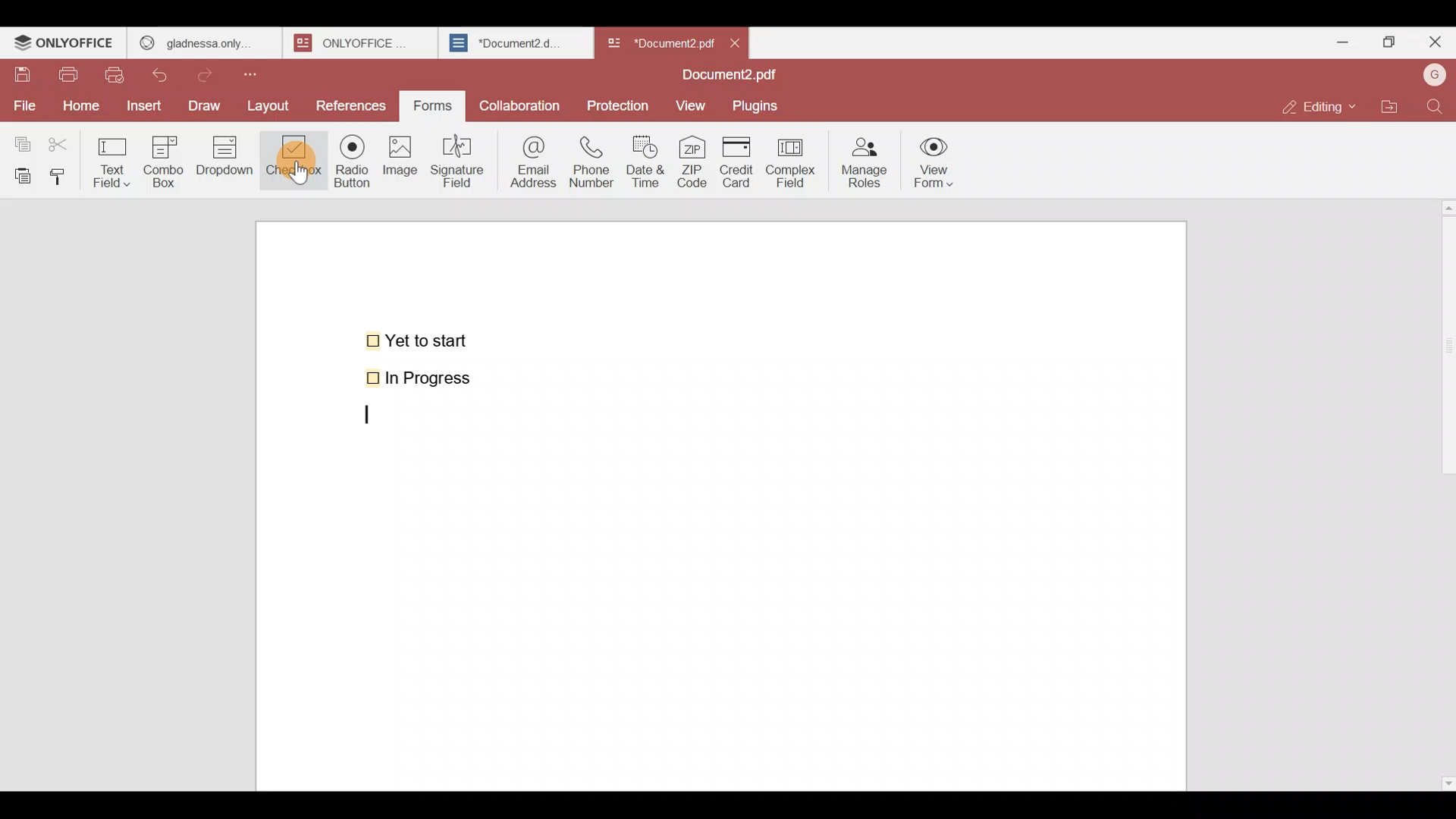 Image resolution: width=1456 pixels, height=819 pixels. Describe the element at coordinates (167, 72) in the screenshot. I see `Undo` at that location.